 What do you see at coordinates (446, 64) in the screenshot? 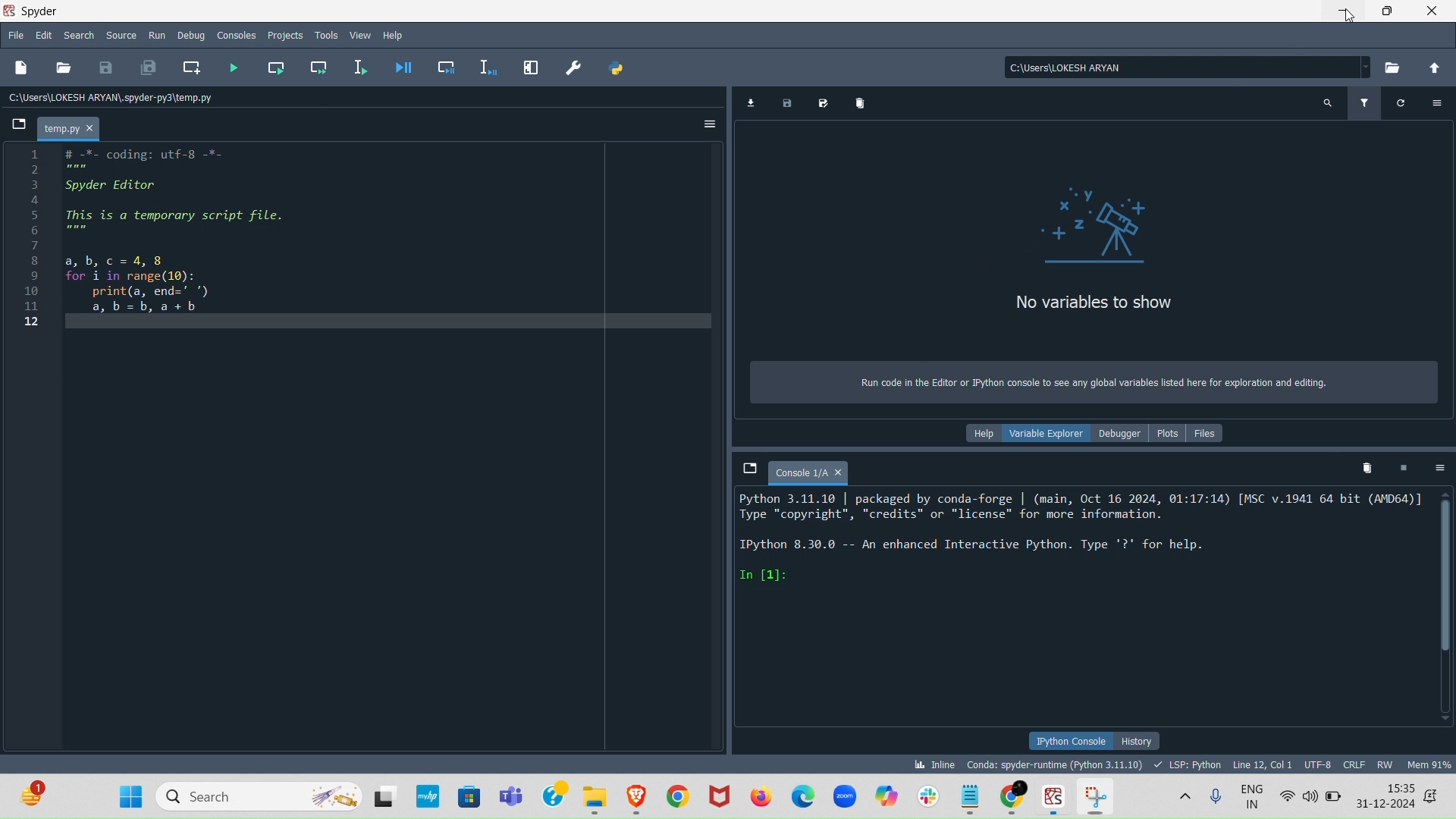
I see `Debug cell` at bounding box center [446, 64].